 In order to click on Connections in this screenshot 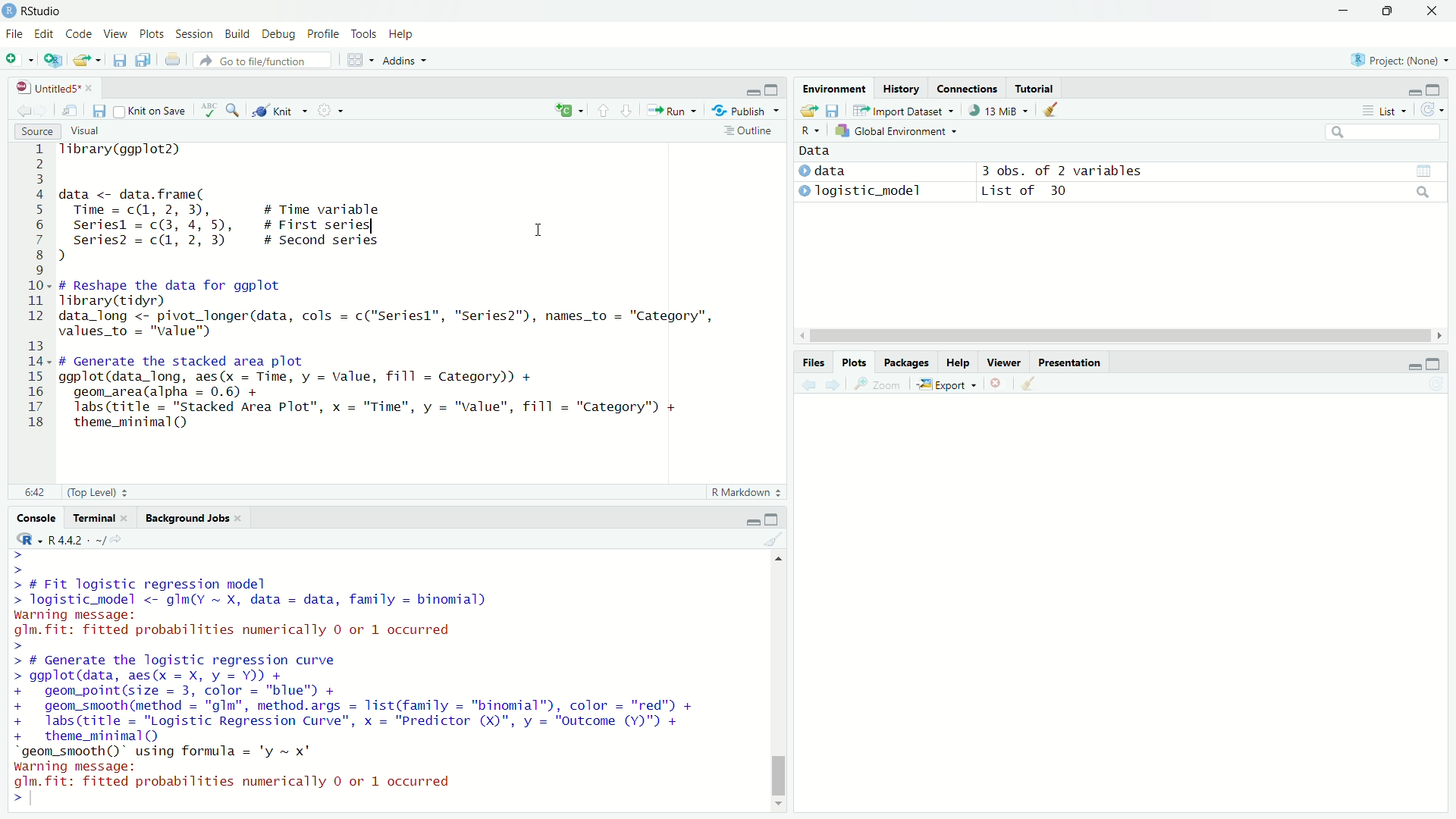, I will do `click(968, 88)`.